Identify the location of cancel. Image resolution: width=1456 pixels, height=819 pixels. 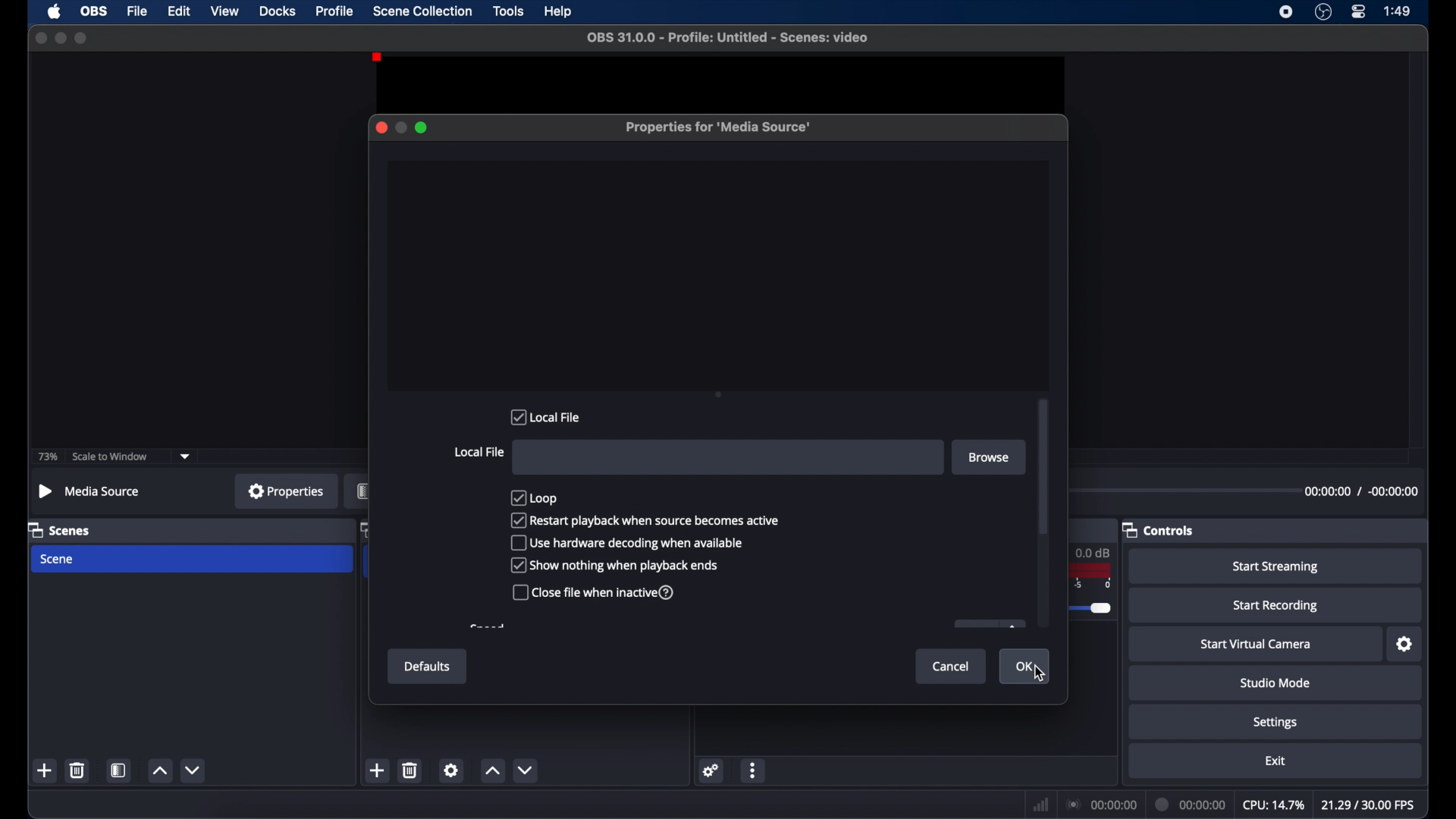
(954, 667).